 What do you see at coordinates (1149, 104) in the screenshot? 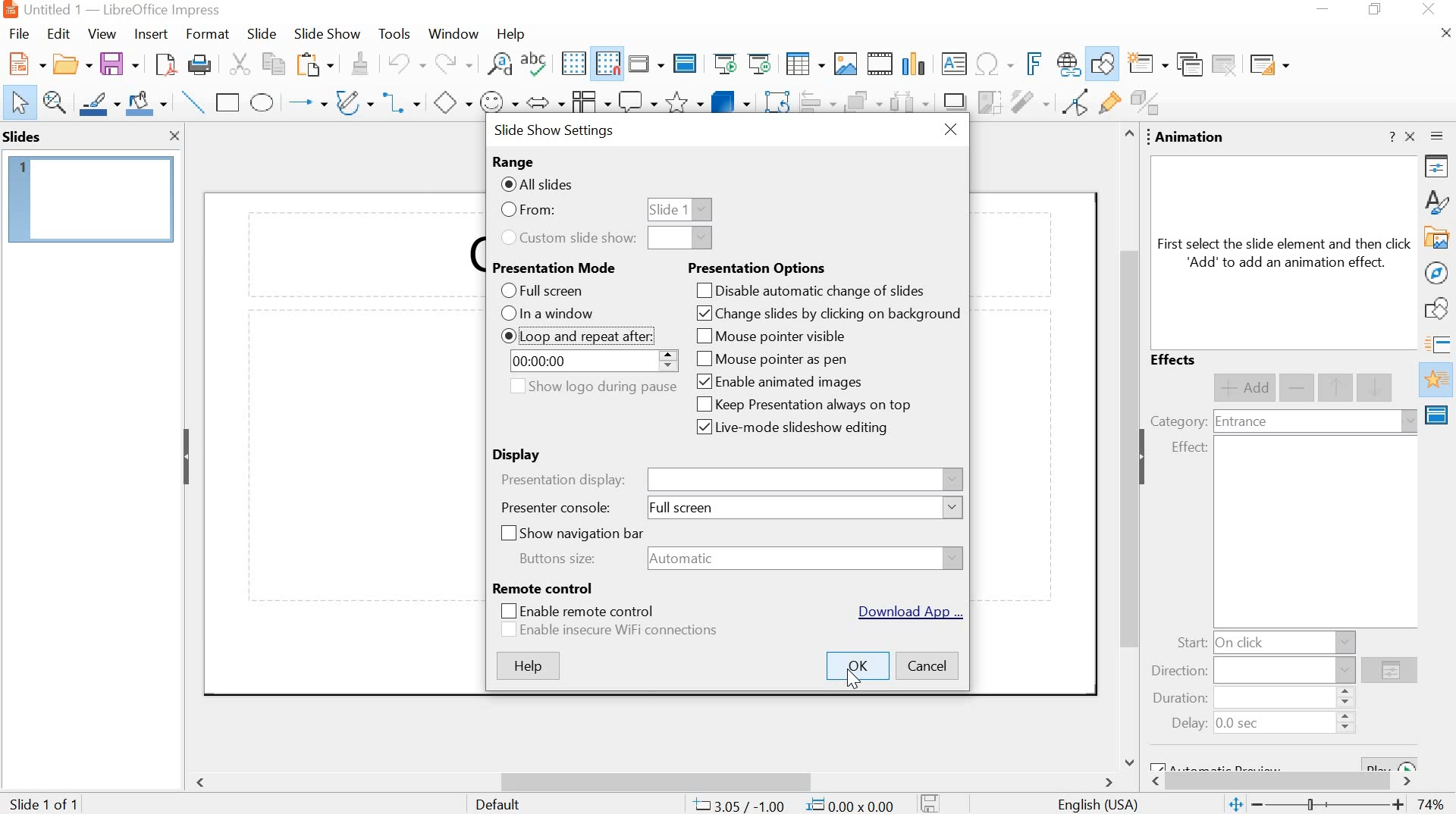
I see `toggle extrusion` at bounding box center [1149, 104].